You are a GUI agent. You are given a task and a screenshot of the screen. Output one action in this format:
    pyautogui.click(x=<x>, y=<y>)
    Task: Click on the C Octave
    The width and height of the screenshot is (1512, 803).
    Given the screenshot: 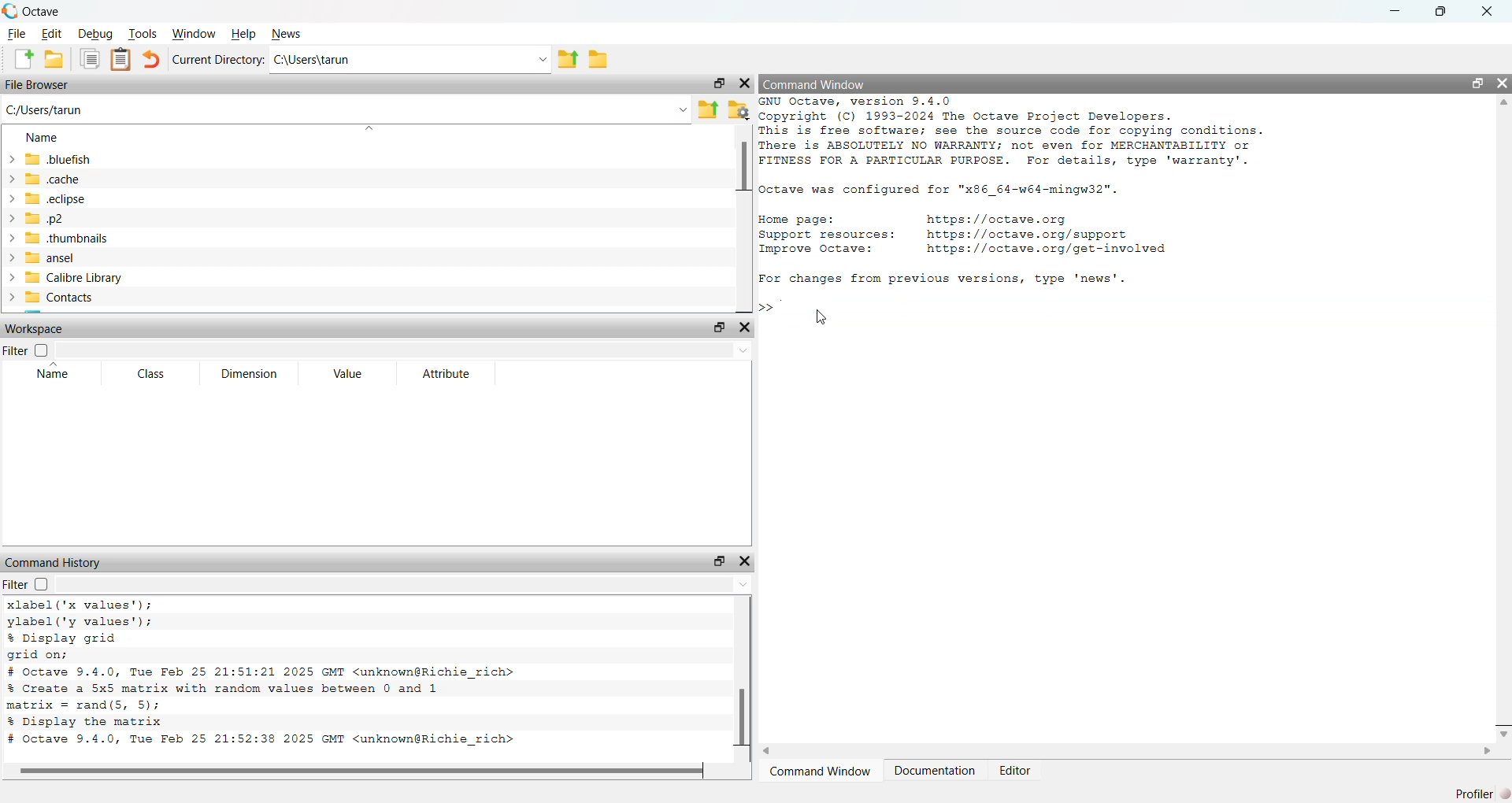 What is the action you would take?
    pyautogui.click(x=42, y=10)
    